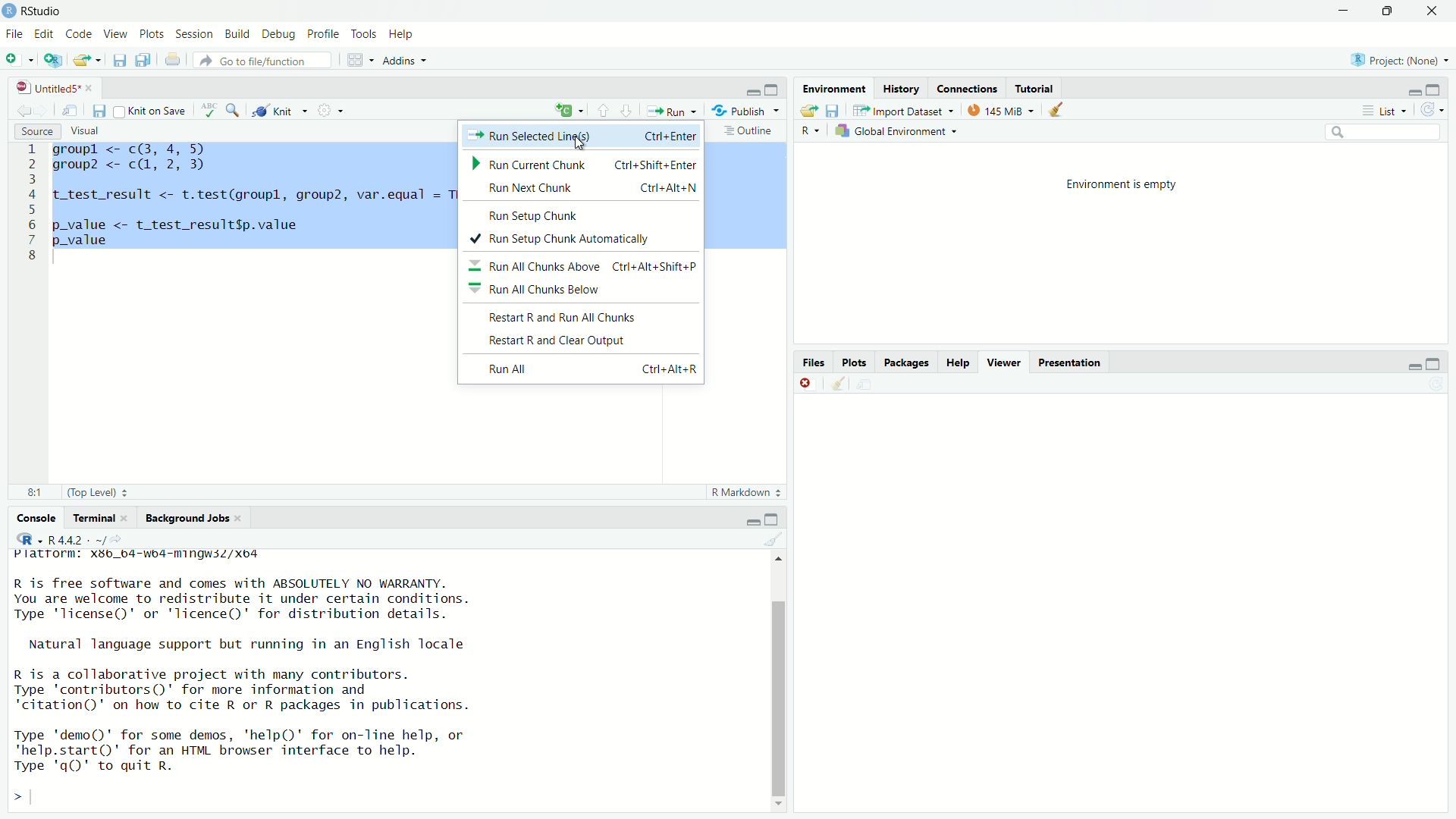  I want to click on code line, so click(31, 202).